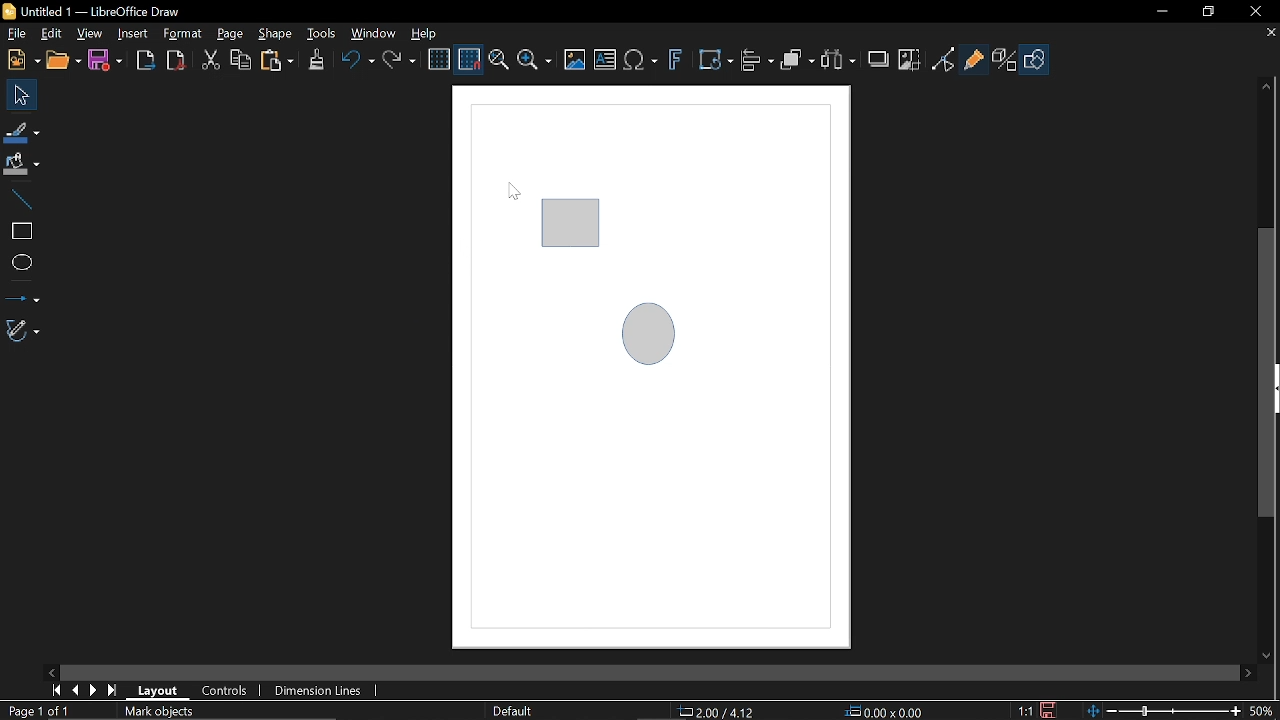 This screenshot has height=720, width=1280. Describe the element at coordinates (401, 62) in the screenshot. I see `Redo` at that location.